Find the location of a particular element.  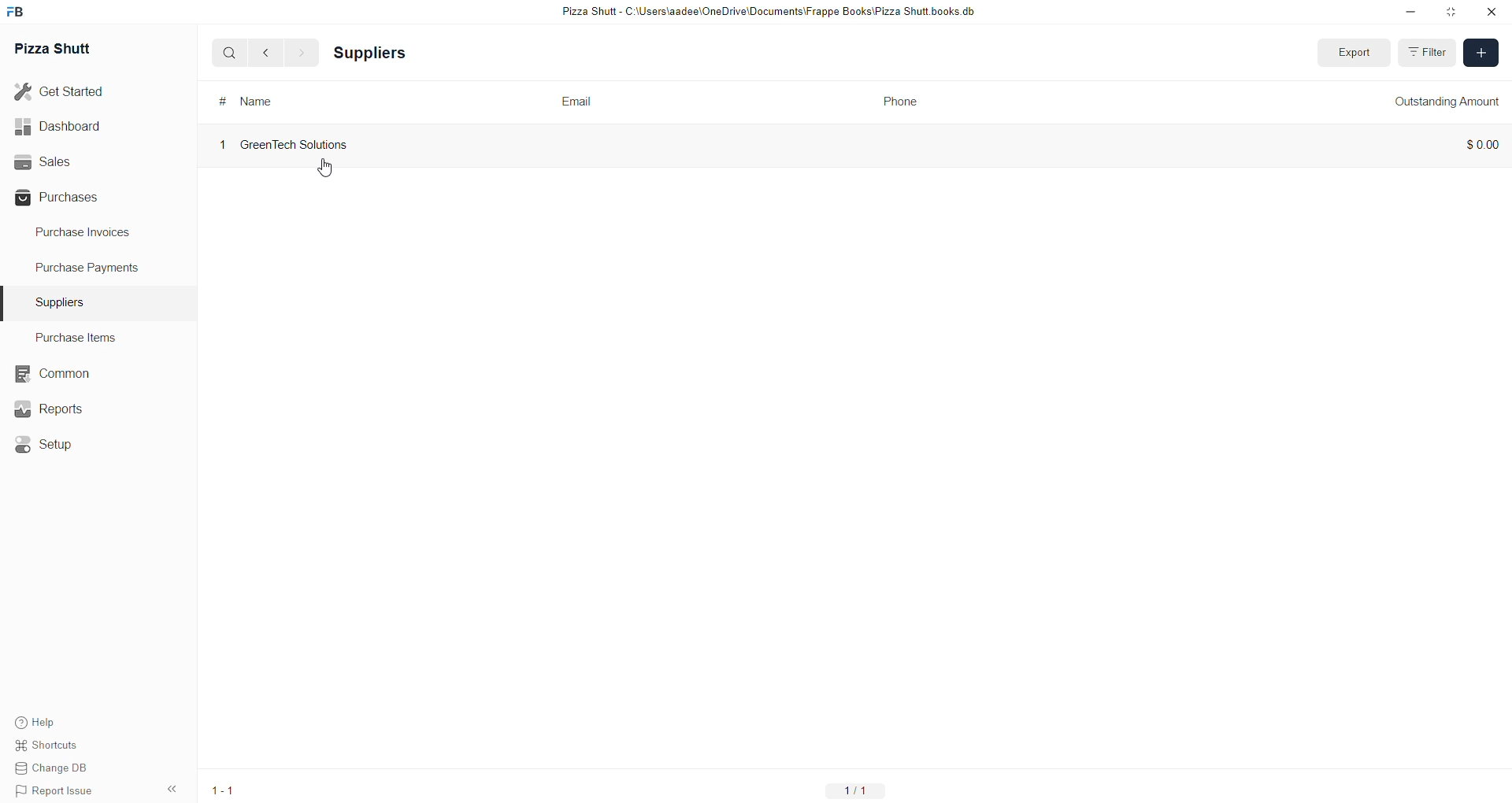

Setup is located at coordinates (46, 442).